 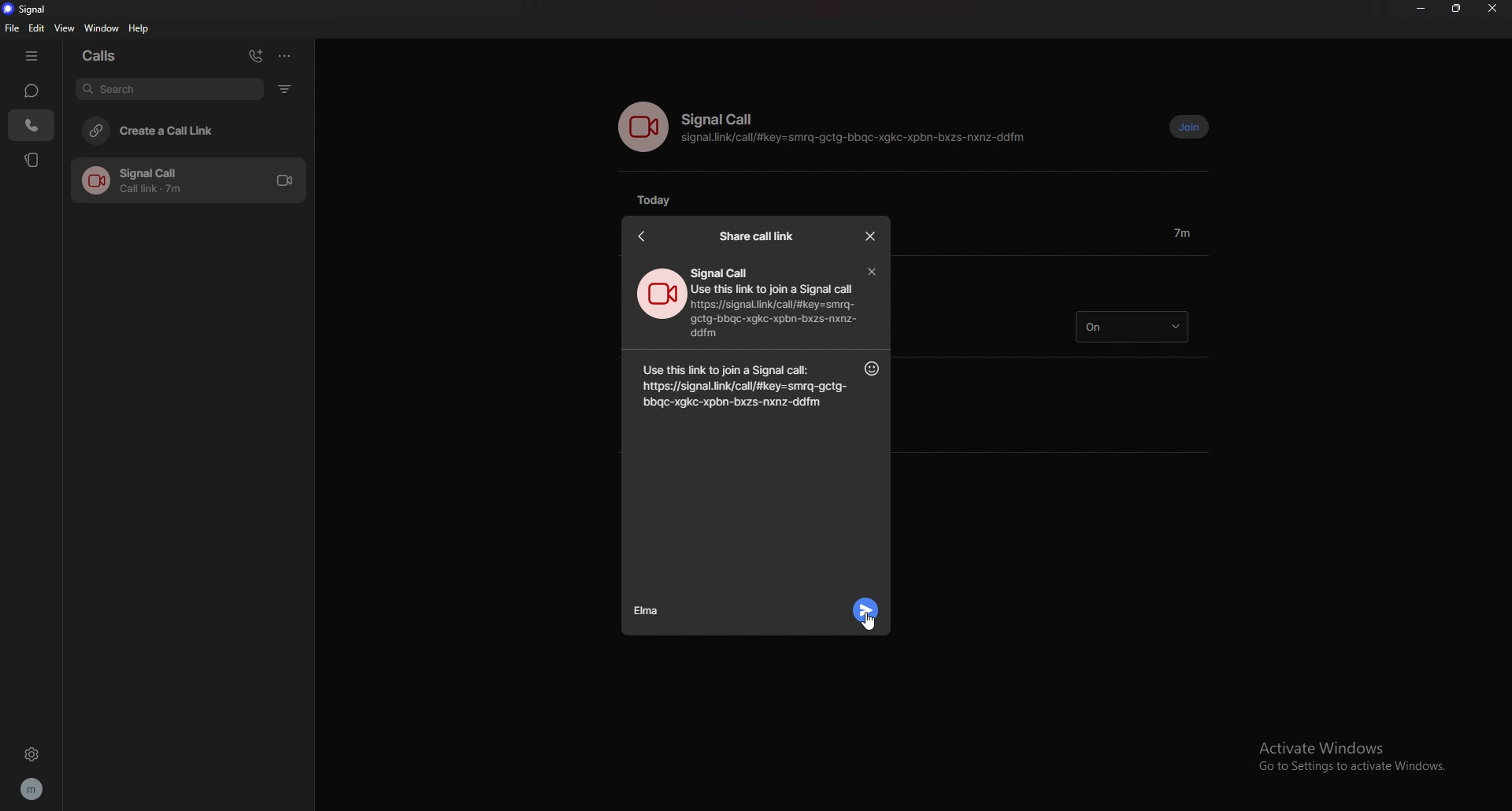 I want to click on file, so click(x=11, y=28).